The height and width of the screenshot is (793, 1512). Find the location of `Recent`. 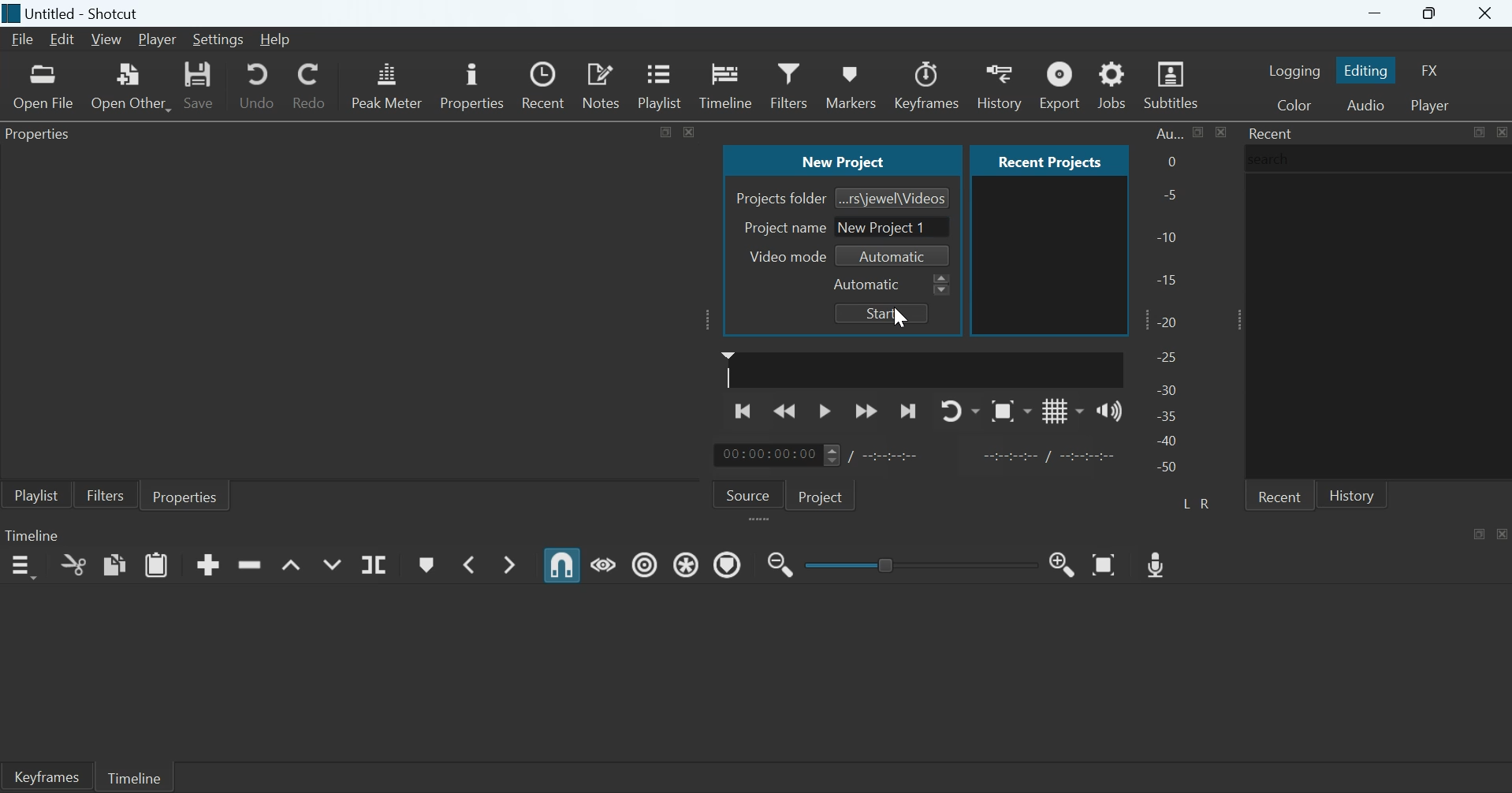

Recent is located at coordinates (1279, 495).